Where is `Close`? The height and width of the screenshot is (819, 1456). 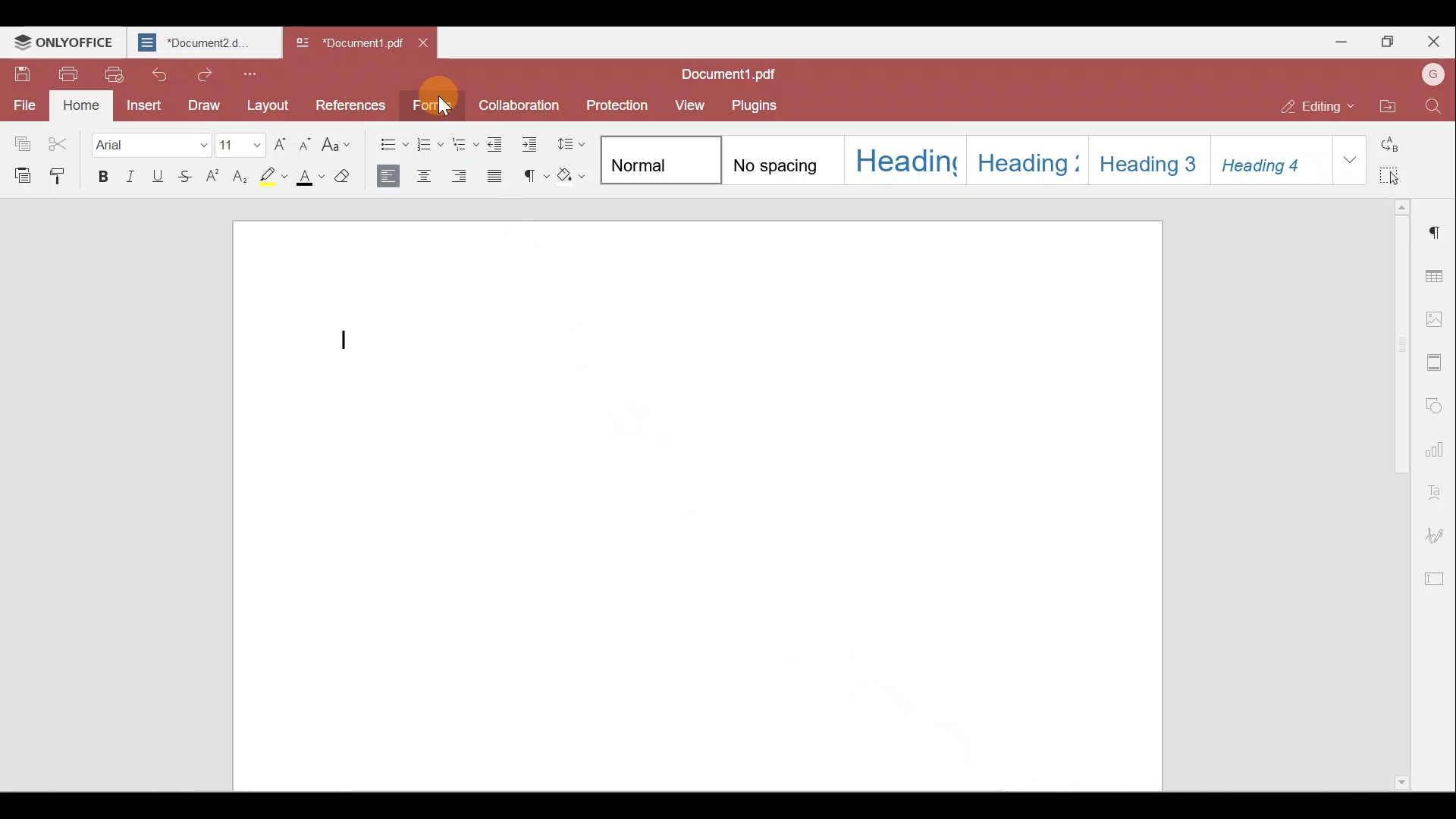 Close is located at coordinates (1434, 42).